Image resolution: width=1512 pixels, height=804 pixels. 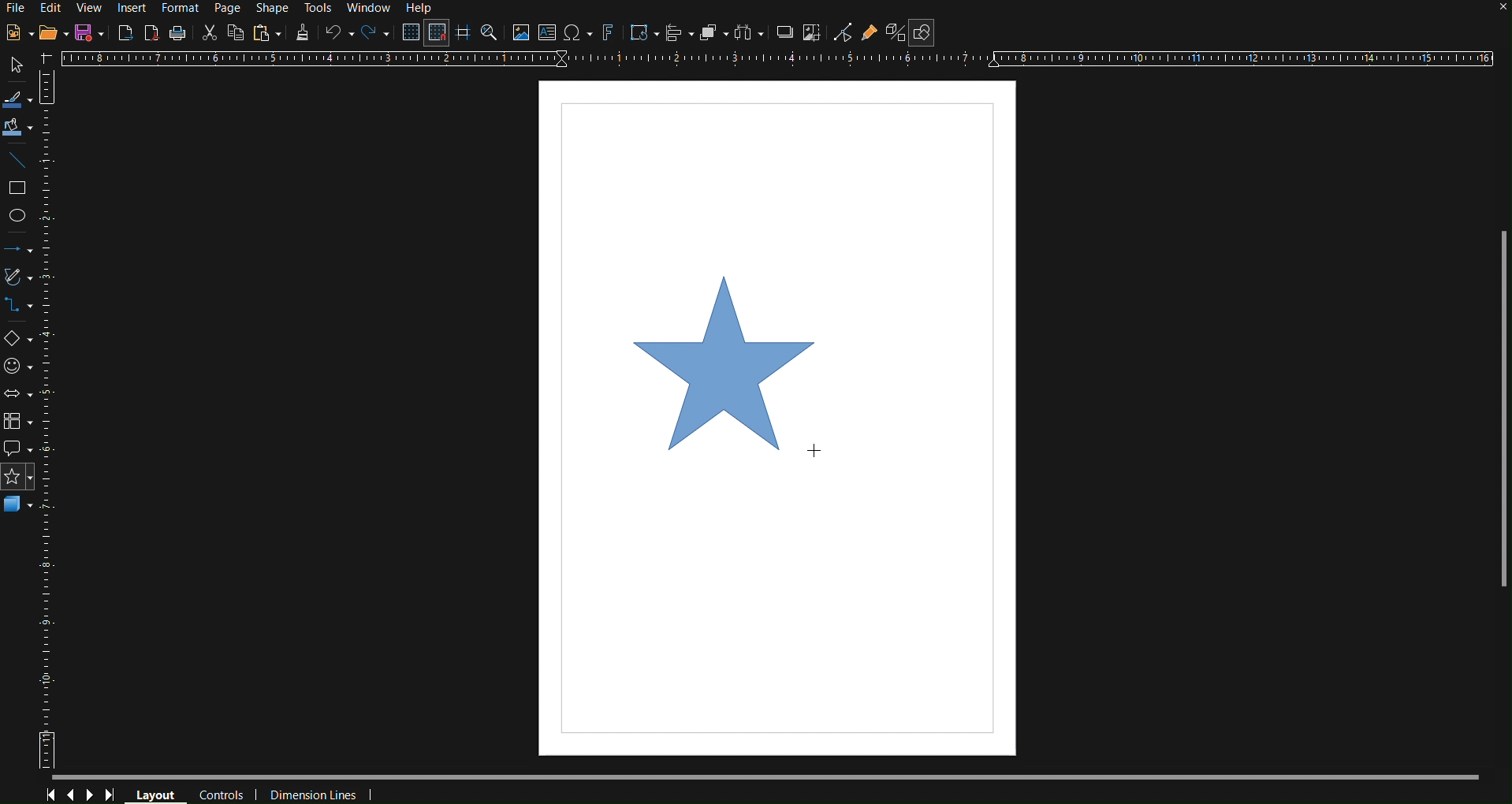 I want to click on Display Grid, so click(x=408, y=33).